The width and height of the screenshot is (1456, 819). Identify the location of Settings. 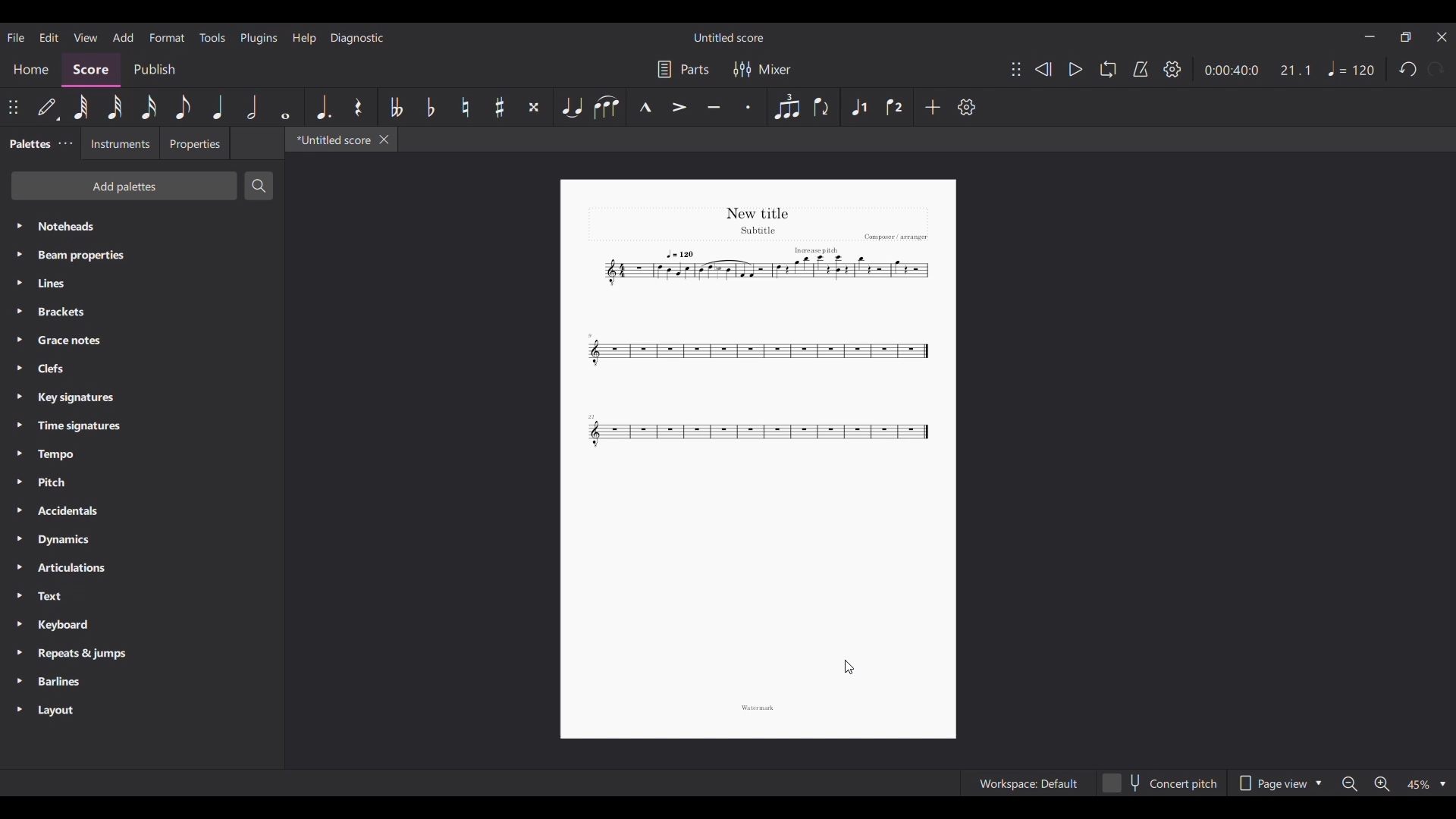
(966, 107).